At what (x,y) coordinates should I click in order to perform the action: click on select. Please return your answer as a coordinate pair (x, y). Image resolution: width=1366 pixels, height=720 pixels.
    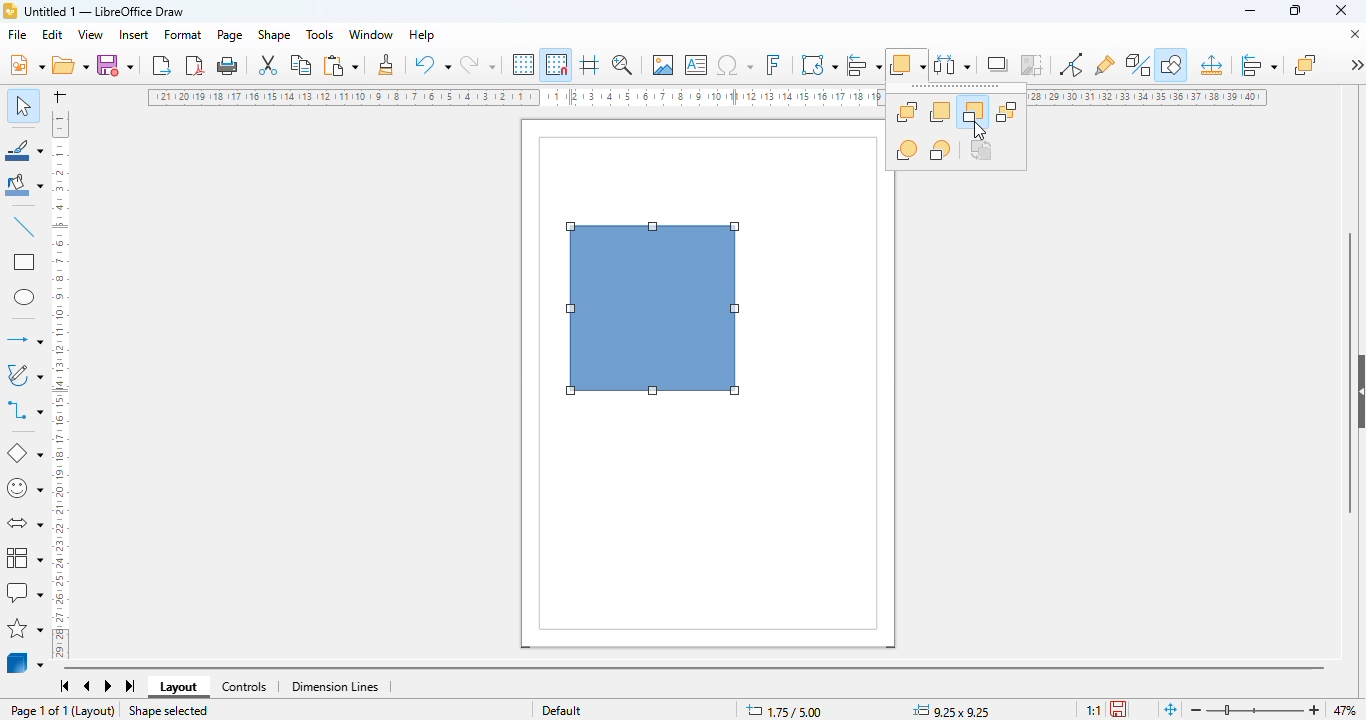
    Looking at the image, I should click on (23, 105).